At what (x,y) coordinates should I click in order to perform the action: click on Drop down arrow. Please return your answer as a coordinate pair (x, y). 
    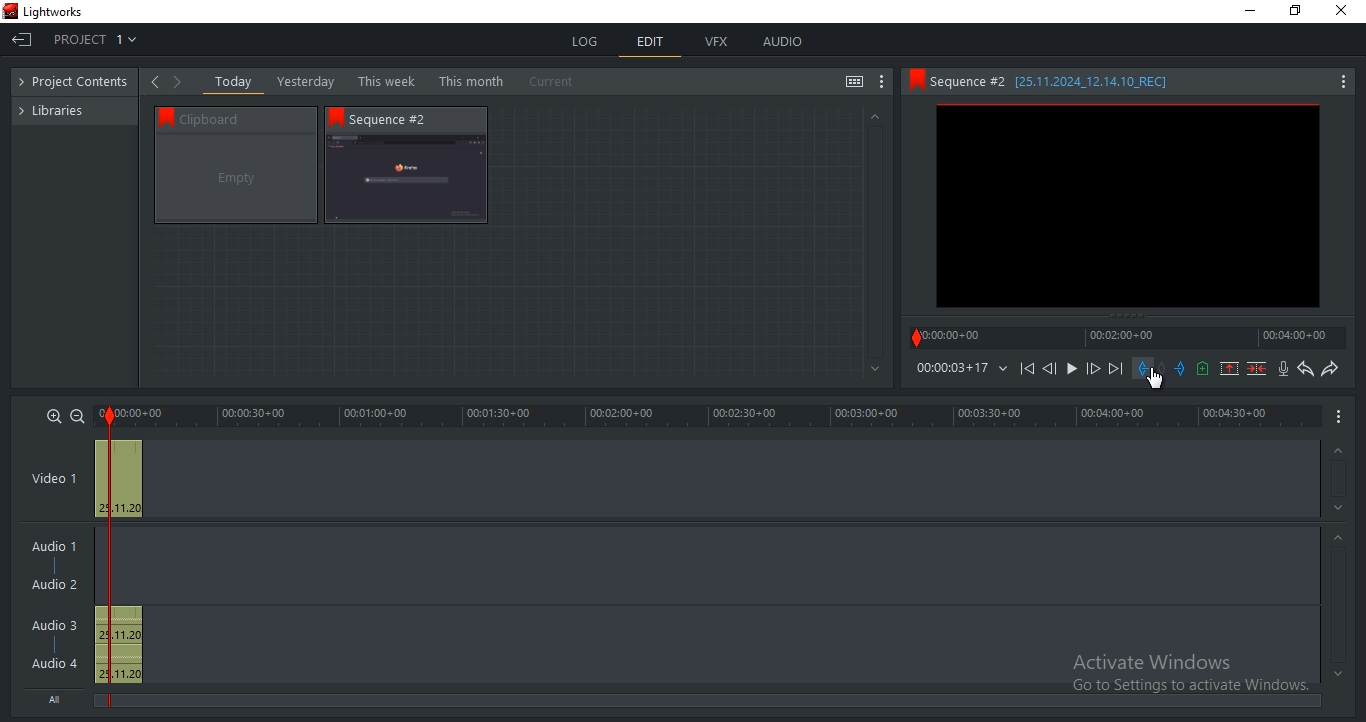
    Looking at the image, I should click on (1003, 369).